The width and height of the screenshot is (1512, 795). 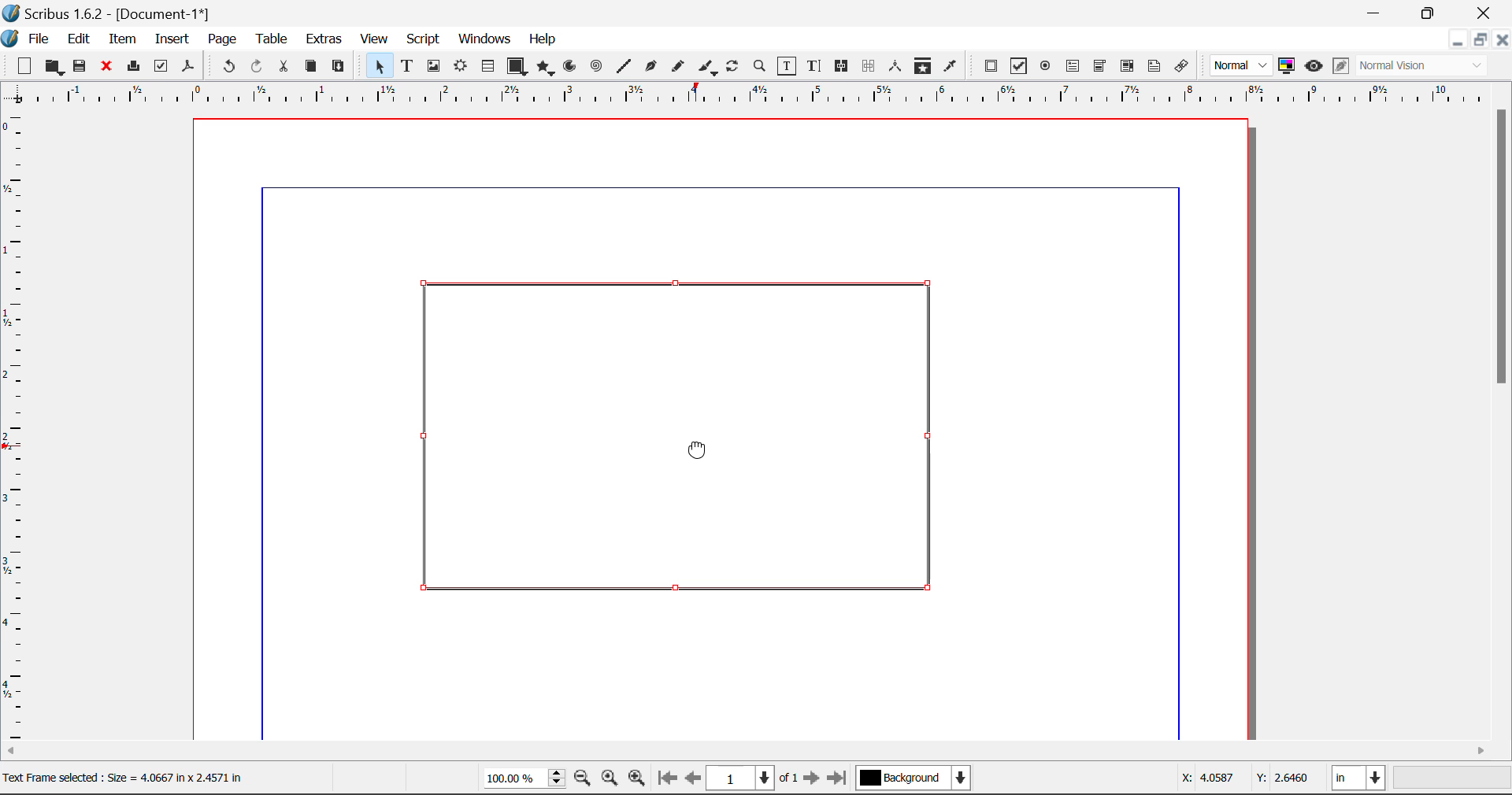 What do you see at coordinates (1045, 67) in the screenshot?
I see `Pdf Radio Button` at bounding box center [1045, 67].